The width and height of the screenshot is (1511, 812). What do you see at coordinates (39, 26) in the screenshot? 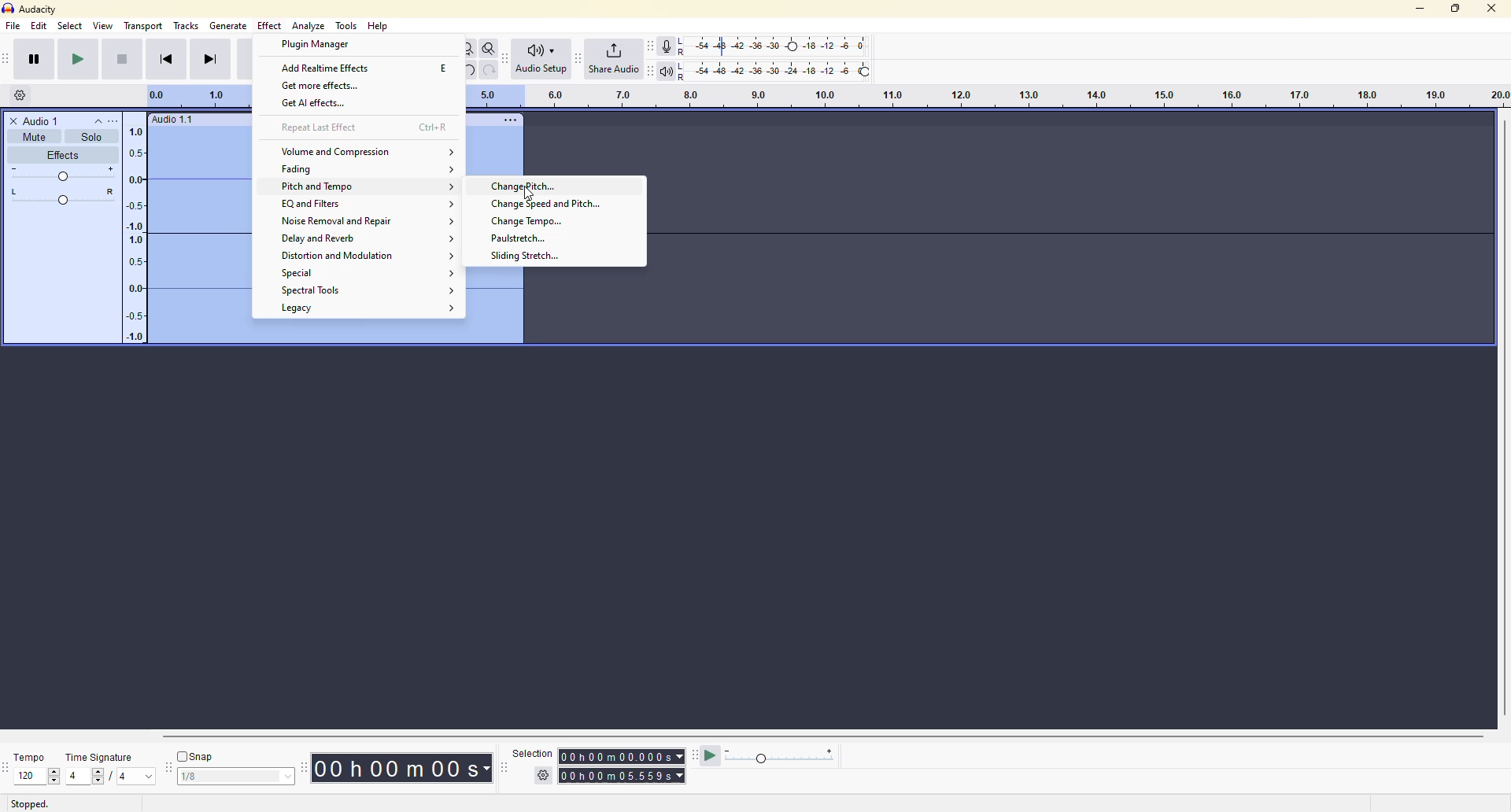
I see `edit` at bounding box center [39, 26].